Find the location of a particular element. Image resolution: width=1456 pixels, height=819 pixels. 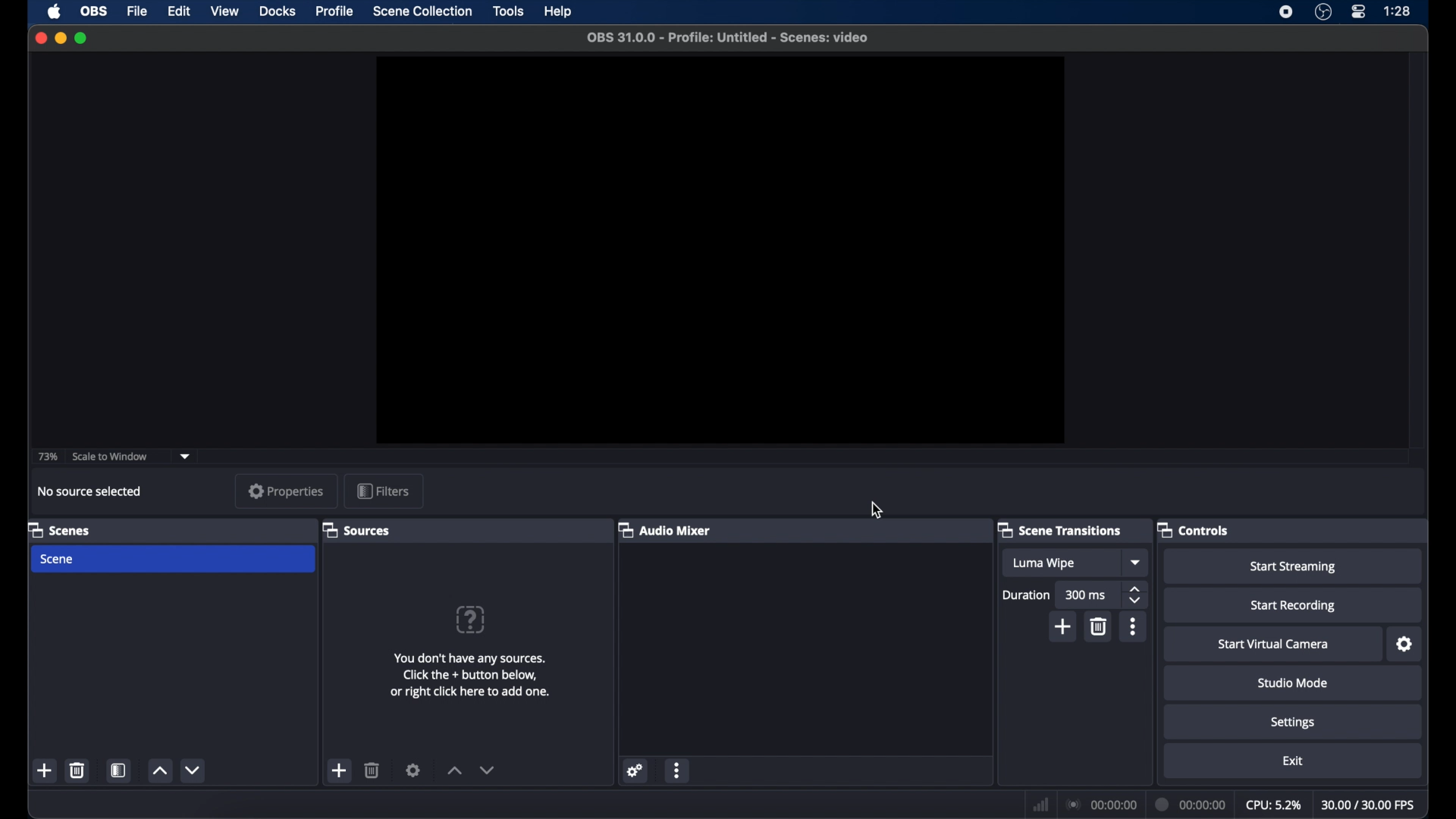

decrement is located at coordinates (488, 772).